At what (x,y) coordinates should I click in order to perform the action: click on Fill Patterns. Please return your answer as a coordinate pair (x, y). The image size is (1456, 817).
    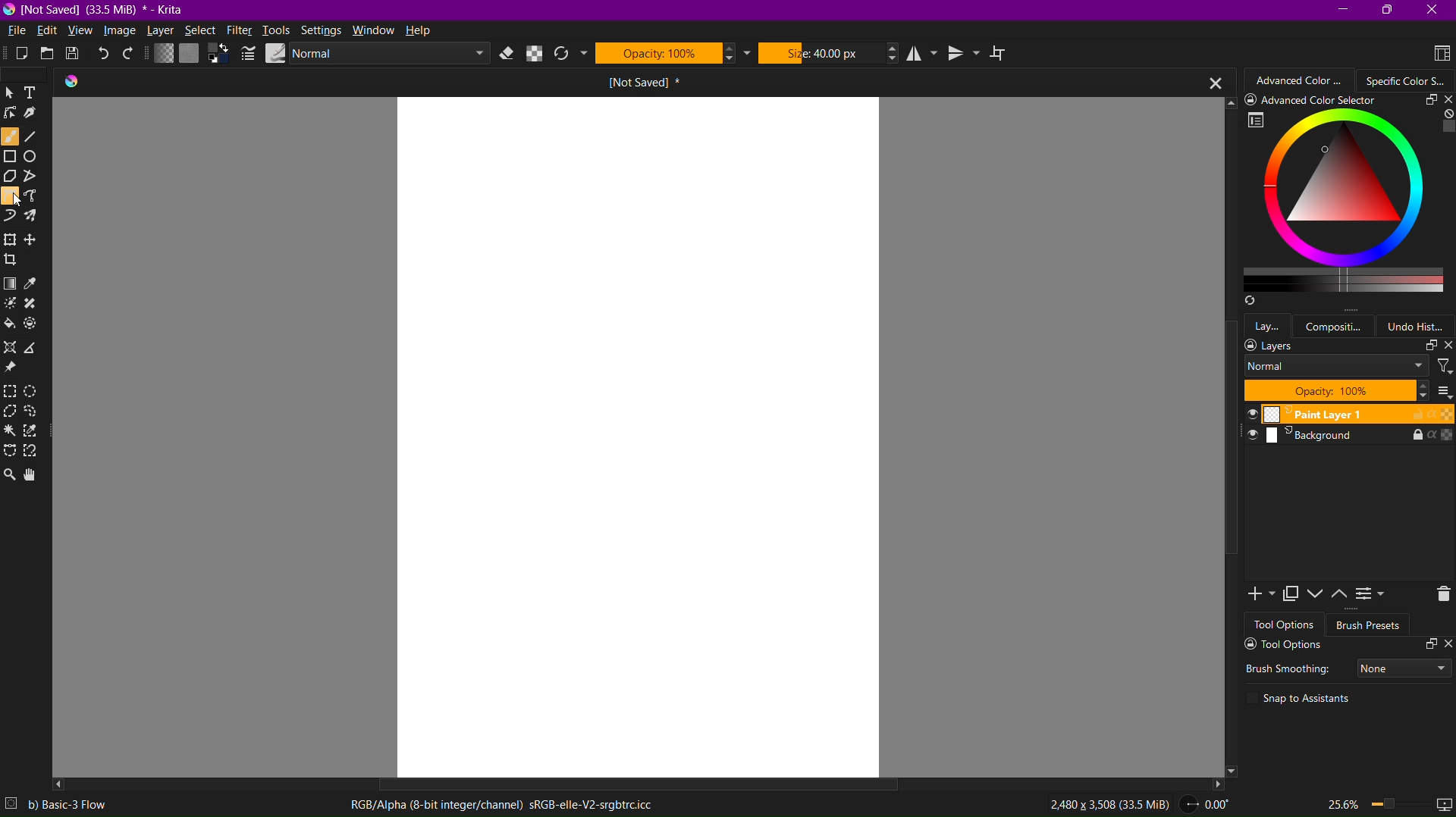
    Looking at the image, I should click on (189, 55).